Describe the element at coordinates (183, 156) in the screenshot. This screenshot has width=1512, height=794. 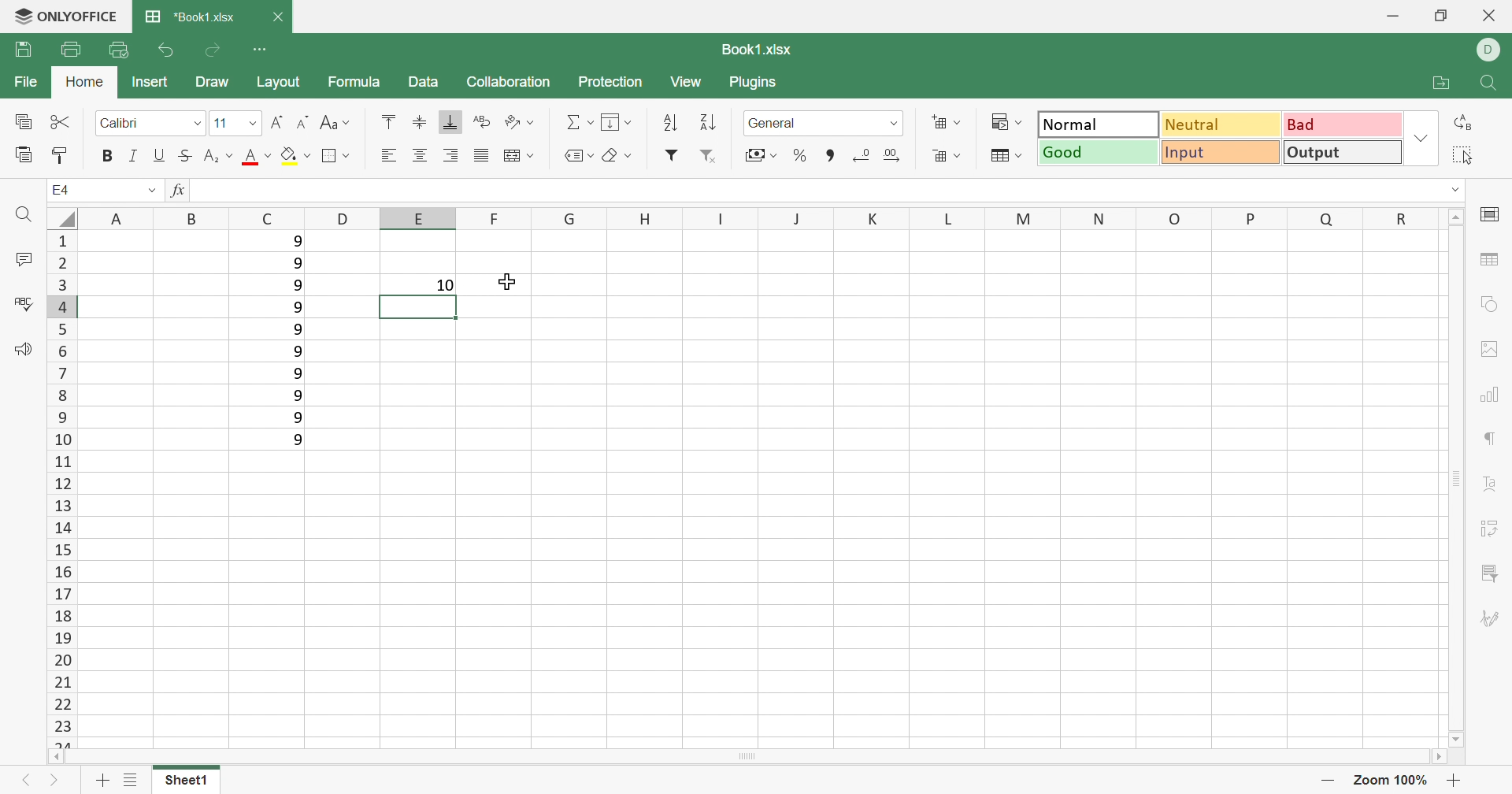
I see `Strikethrough` at that location.